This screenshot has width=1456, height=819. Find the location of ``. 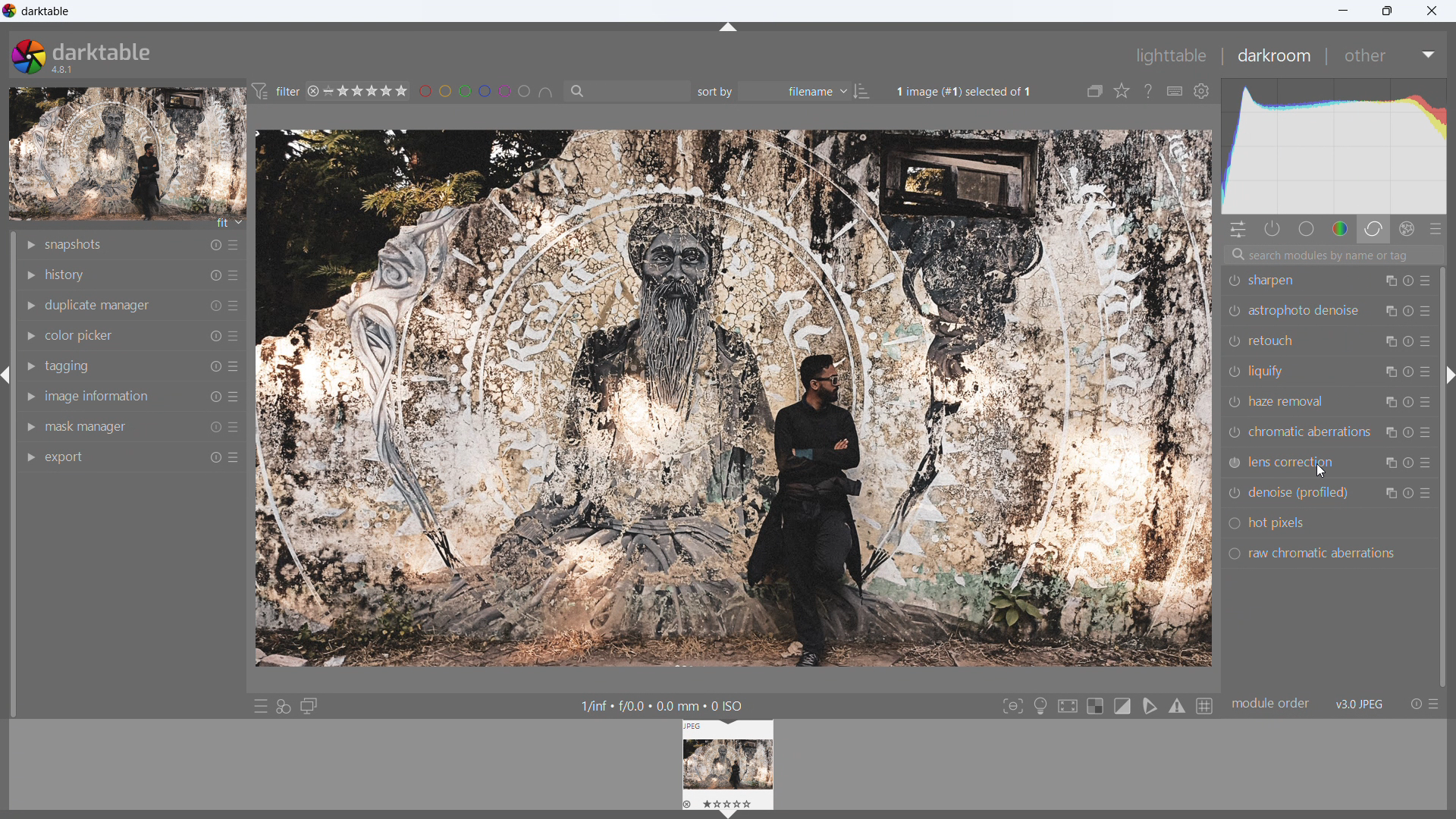

 is located at coordinates (1429, 312).